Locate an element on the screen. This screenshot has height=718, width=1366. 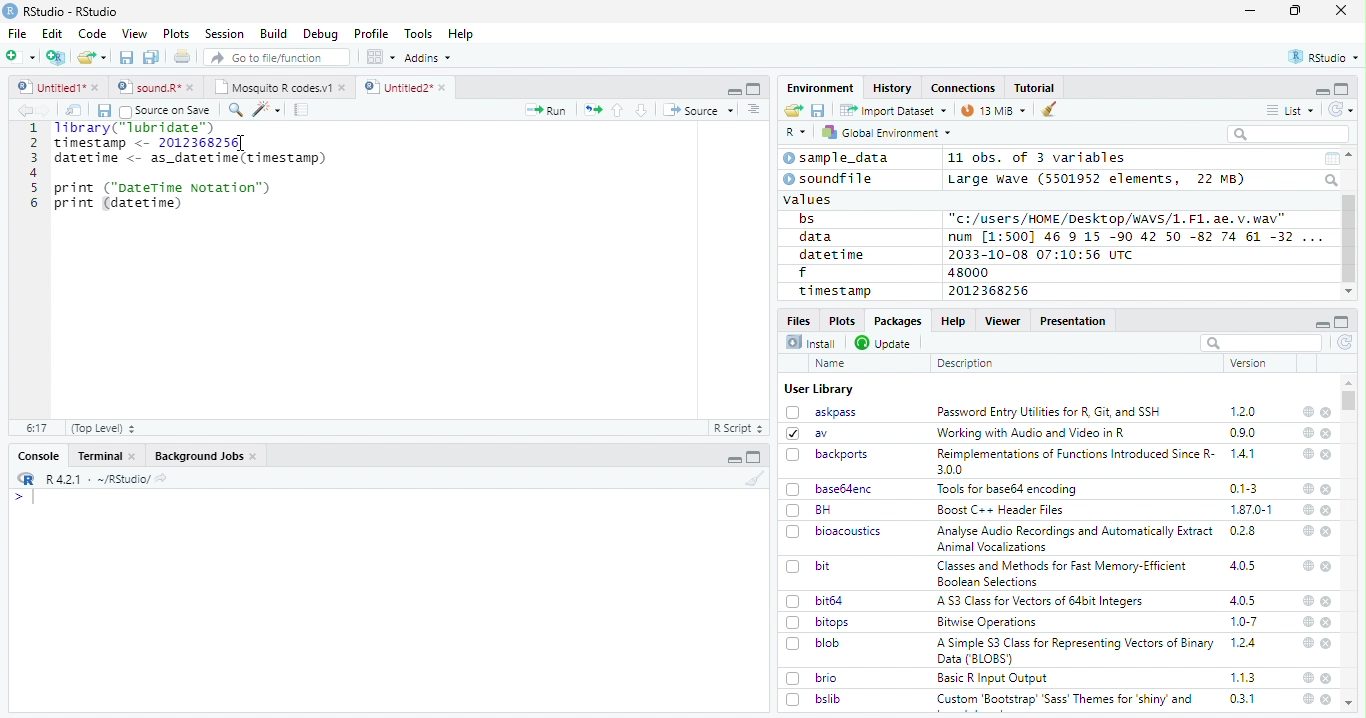
close is located at coordinates (1341, 9).